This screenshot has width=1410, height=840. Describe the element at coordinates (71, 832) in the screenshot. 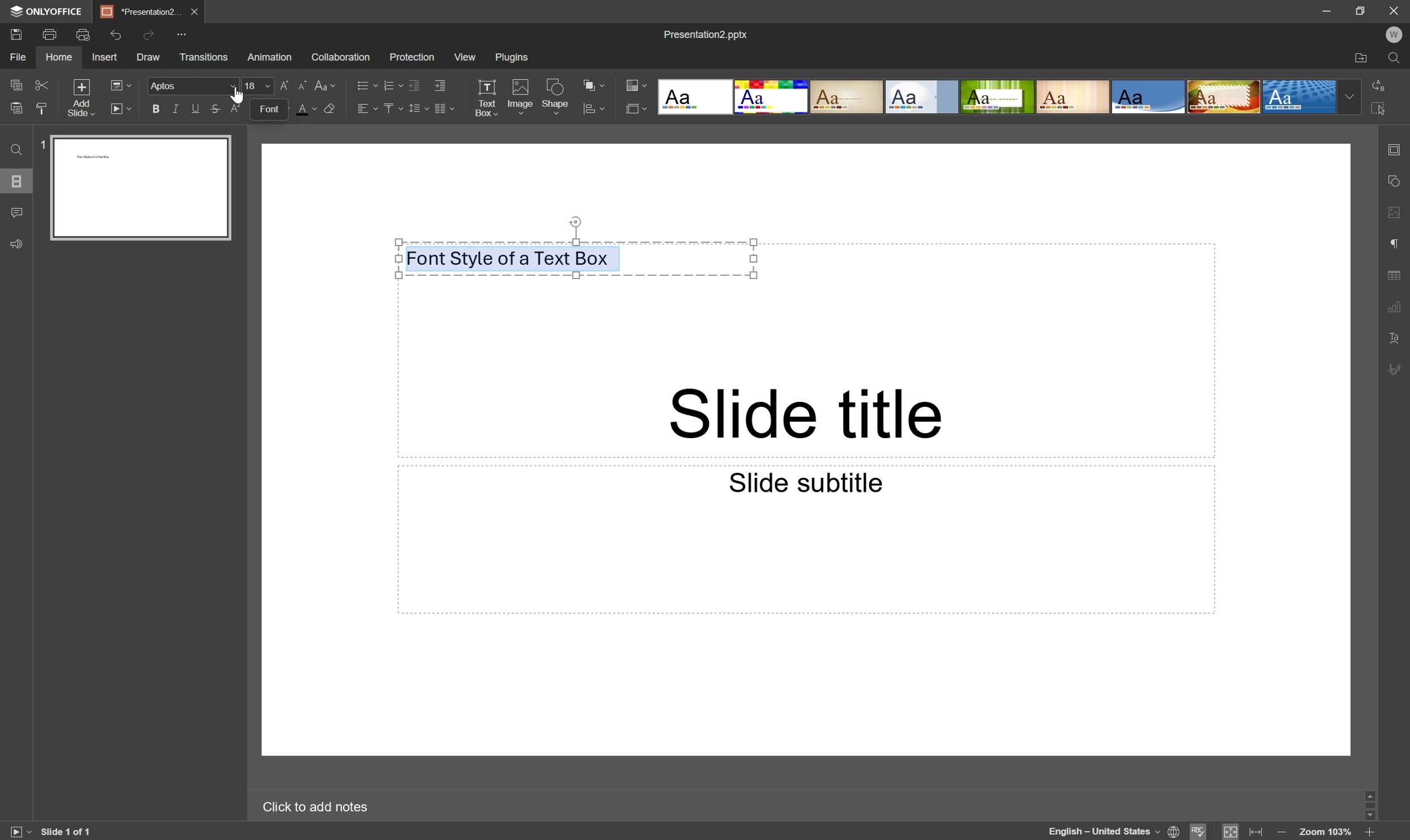

I see `Slide 1 of 1` at that location.